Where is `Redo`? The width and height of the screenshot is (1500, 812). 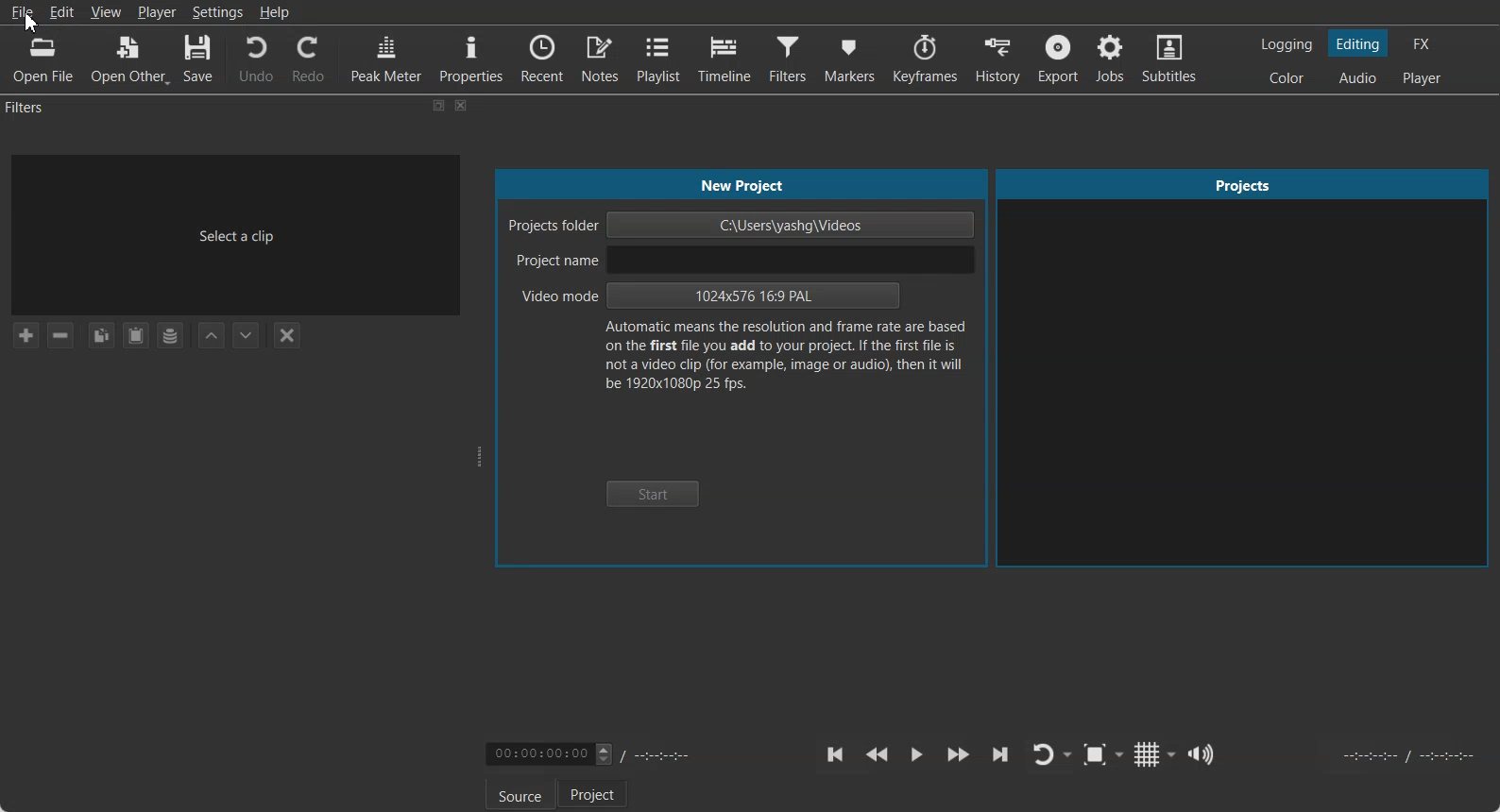
Redo is located at coordinates (307, 58).